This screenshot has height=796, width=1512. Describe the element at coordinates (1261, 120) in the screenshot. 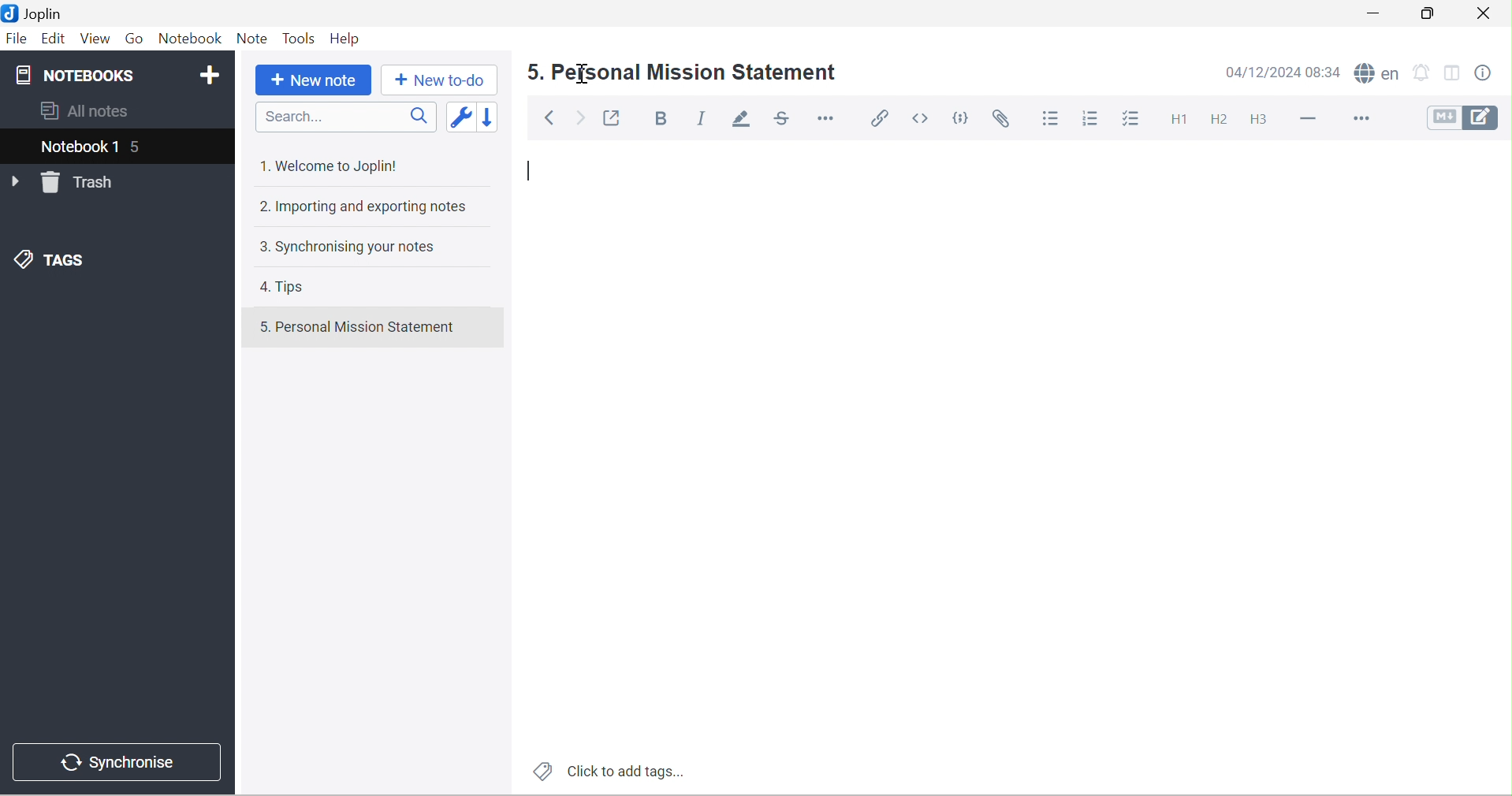

I see `Heading 3` at that location.